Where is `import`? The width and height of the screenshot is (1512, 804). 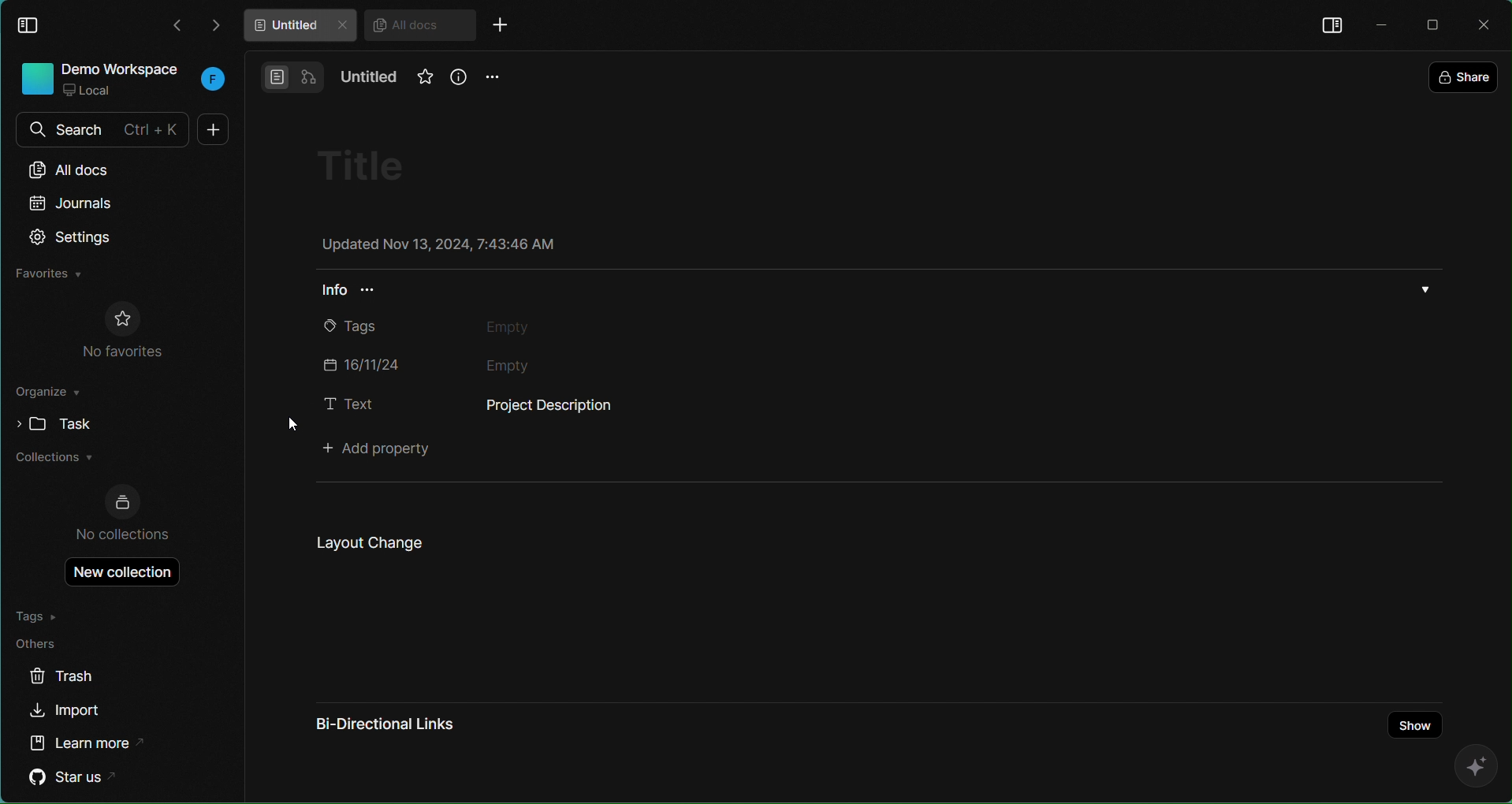 import is located at coordinates (67, 712).